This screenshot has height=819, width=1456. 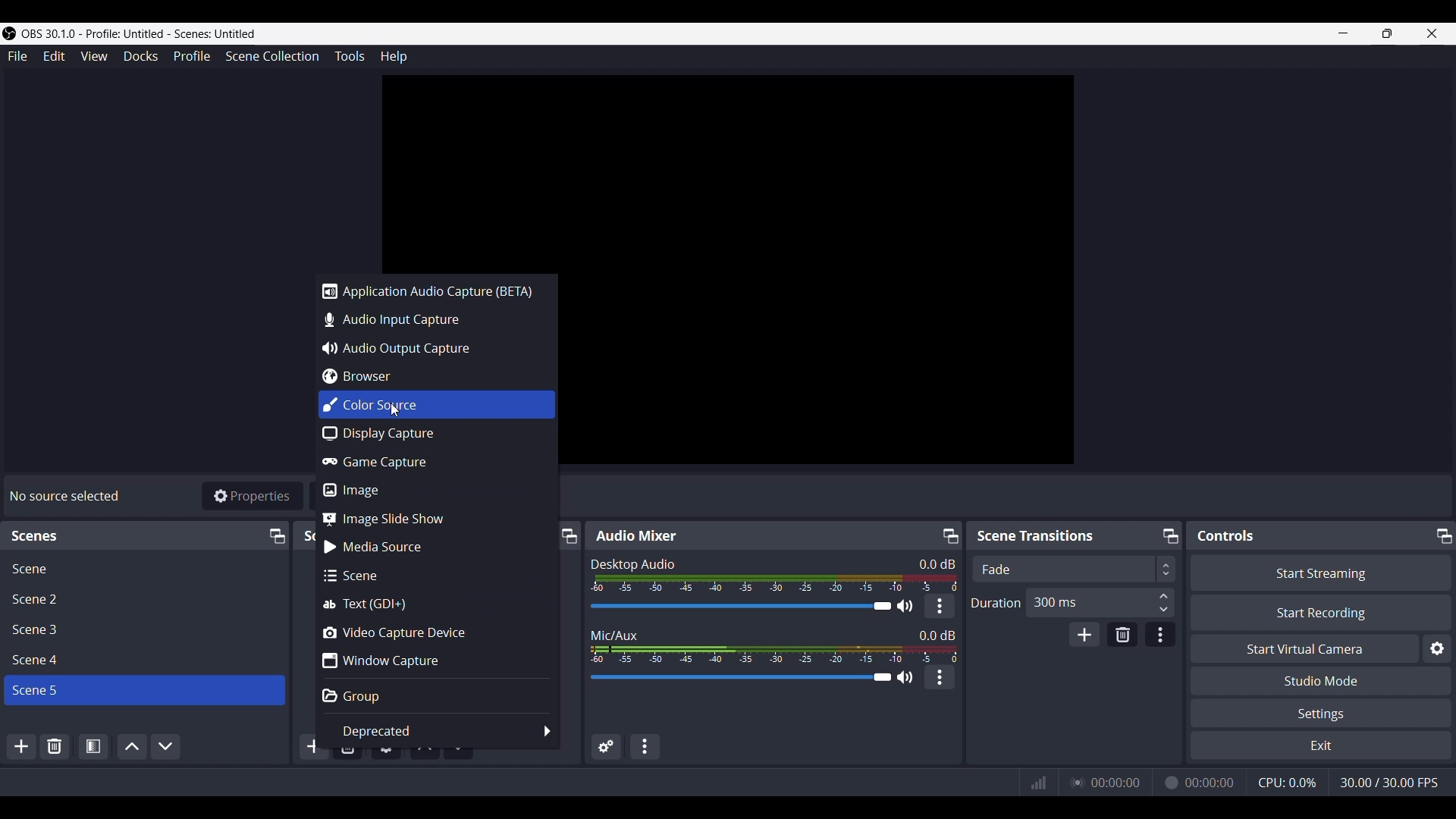 I want to click on More, so click(x=940, y=677).